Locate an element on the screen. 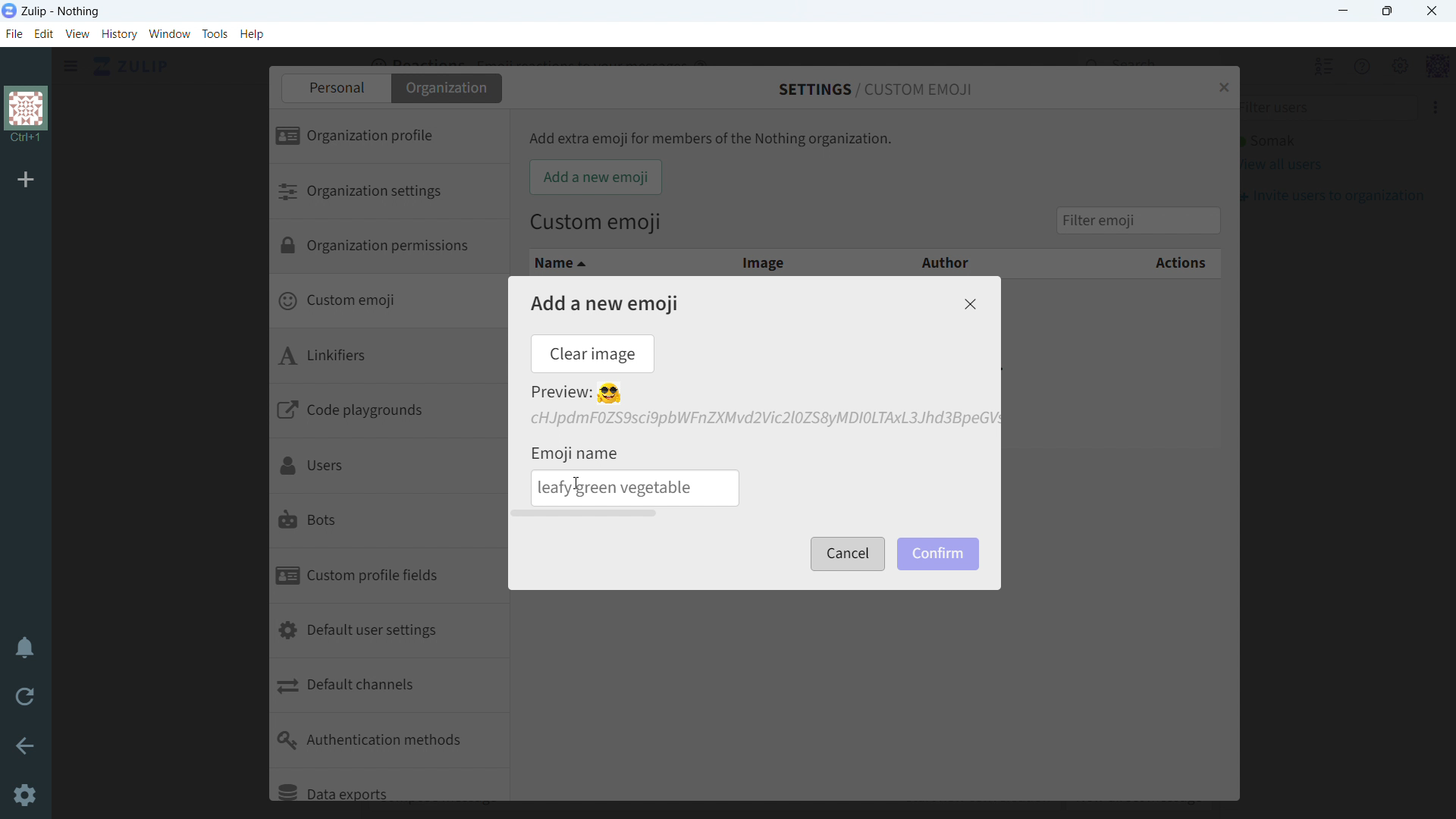  data exports is located at coordinates (388, 785).